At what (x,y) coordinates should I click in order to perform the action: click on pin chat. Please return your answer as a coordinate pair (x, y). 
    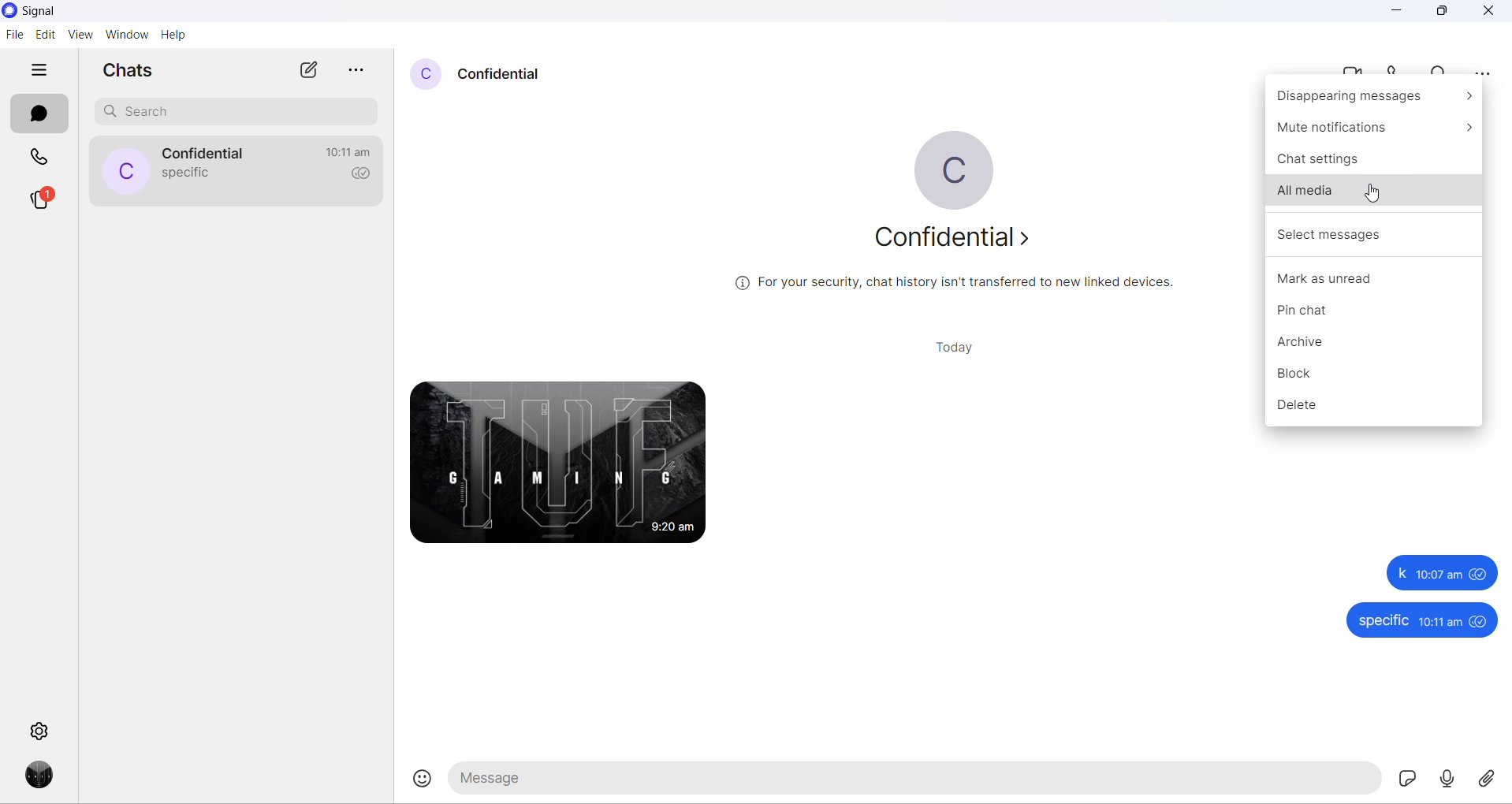
    Looking at the image, I should click on (1372, 313).